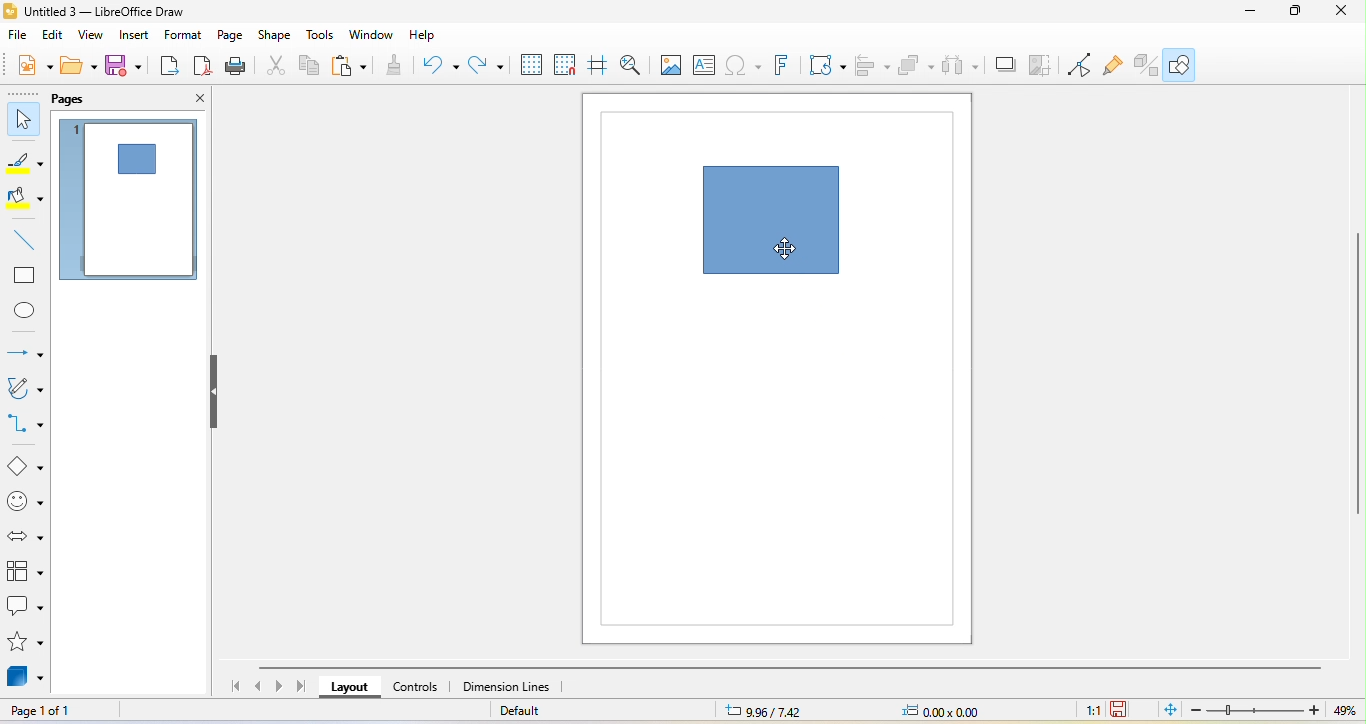  What do you see at coordinates (422, 689) in the screenshot?
I see `controls` at bounding box center [422, 689].